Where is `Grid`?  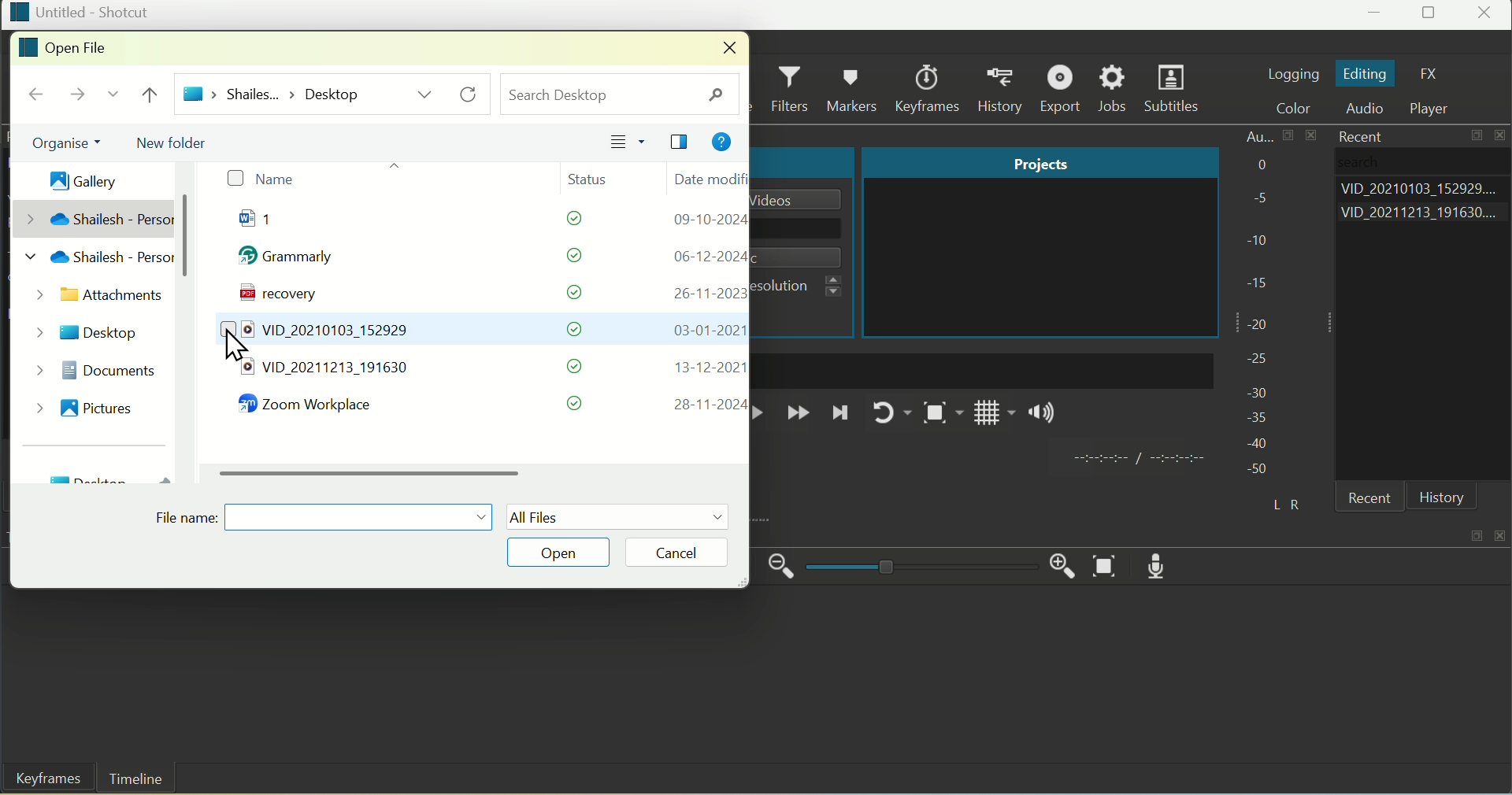 Grid is located at coordinates (995, 417).